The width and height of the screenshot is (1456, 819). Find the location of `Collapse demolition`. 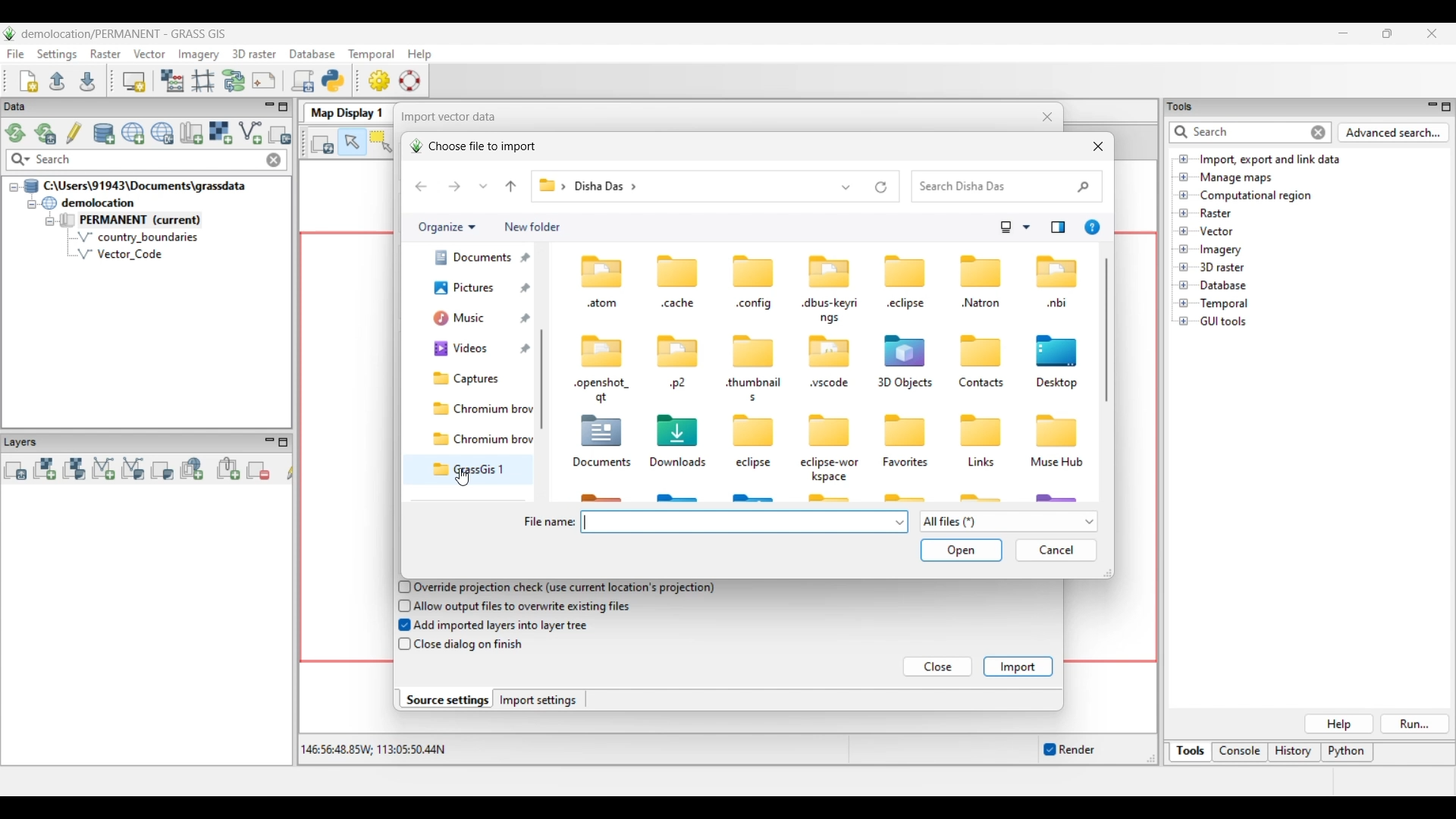

Collapse demolition is located at coordinates (31, 205).